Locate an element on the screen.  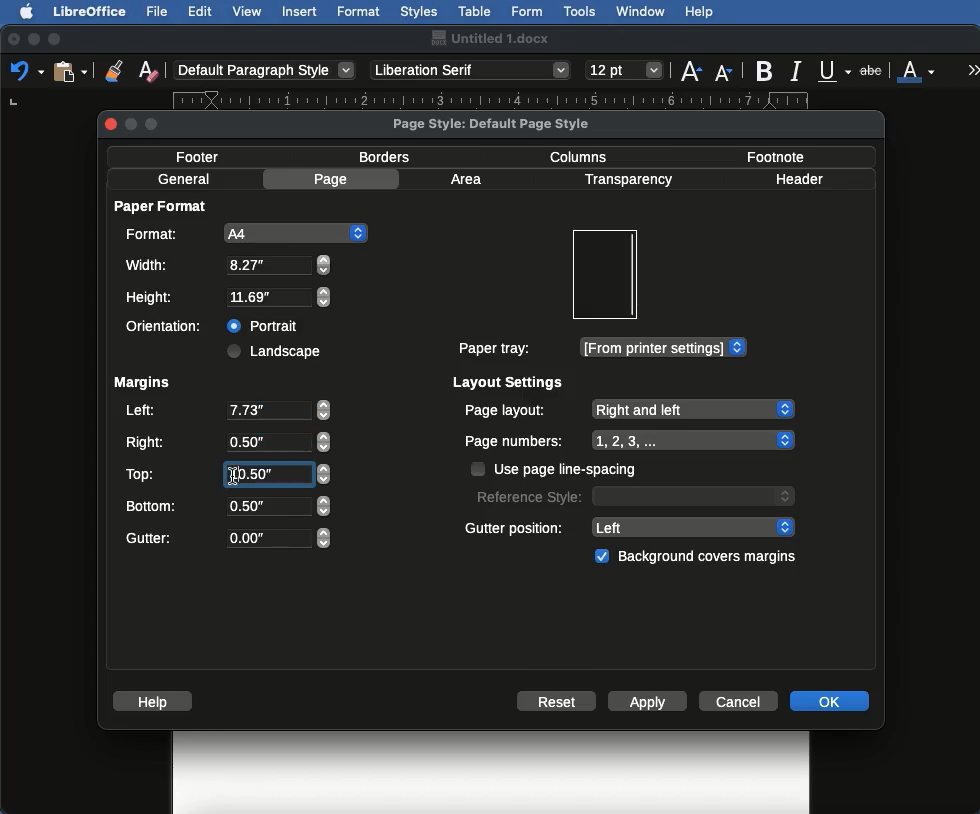
Height is located at coordinates (229, 298).